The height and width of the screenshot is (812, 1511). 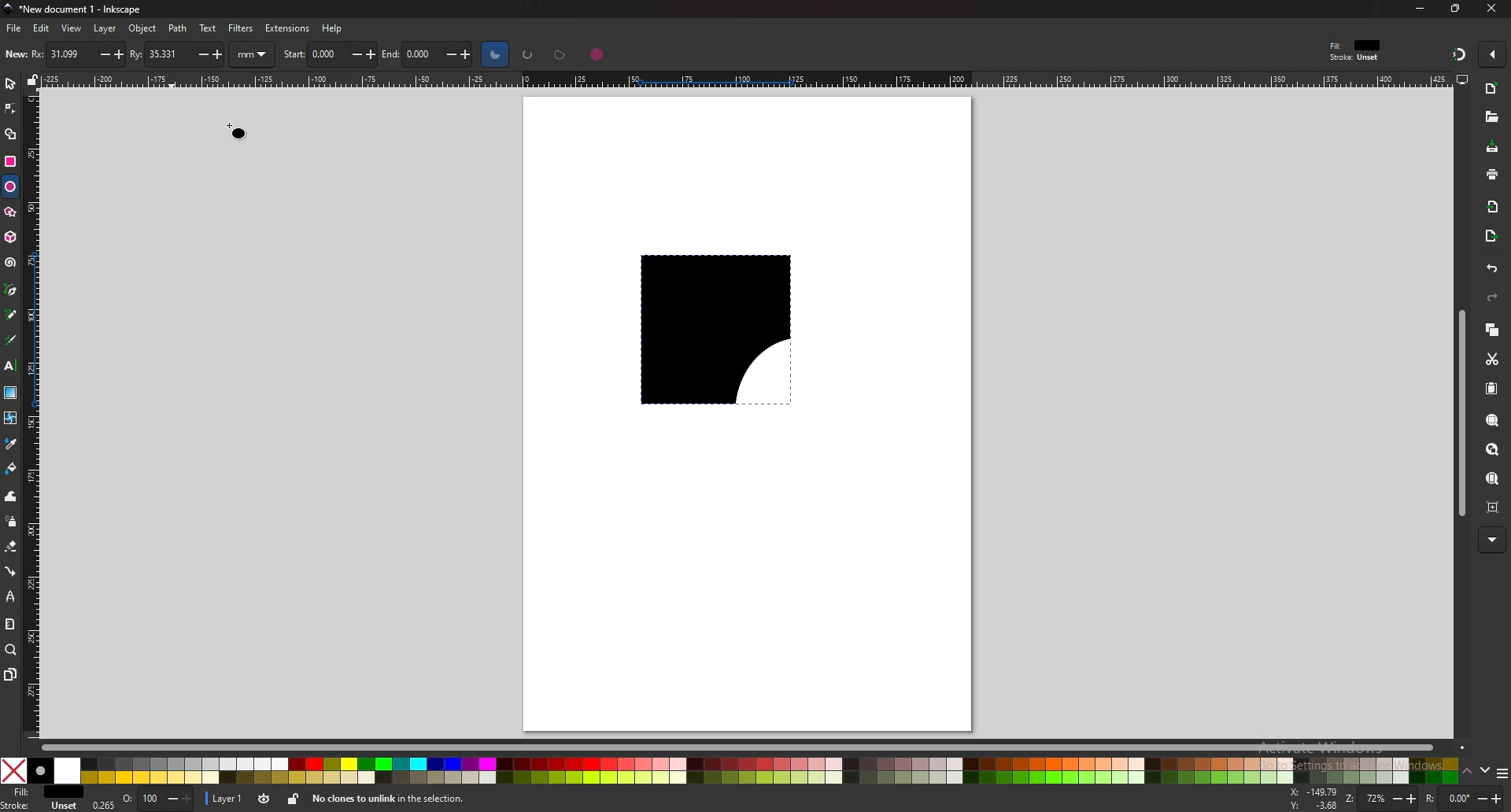 I want to click on file, so click(x=15, y=28).